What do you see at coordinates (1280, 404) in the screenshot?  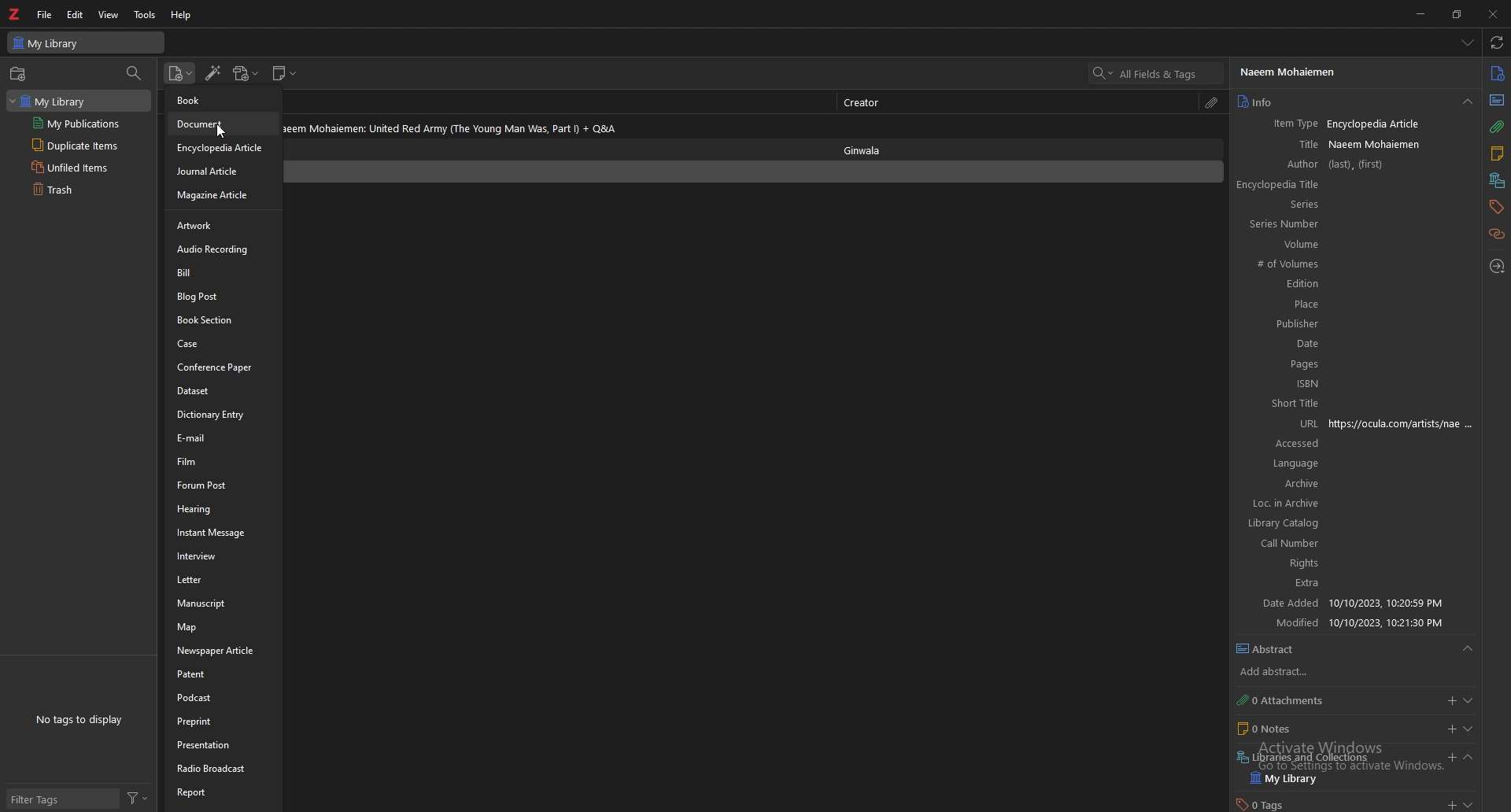 I see `short title` at bounding box center [1280, 404].